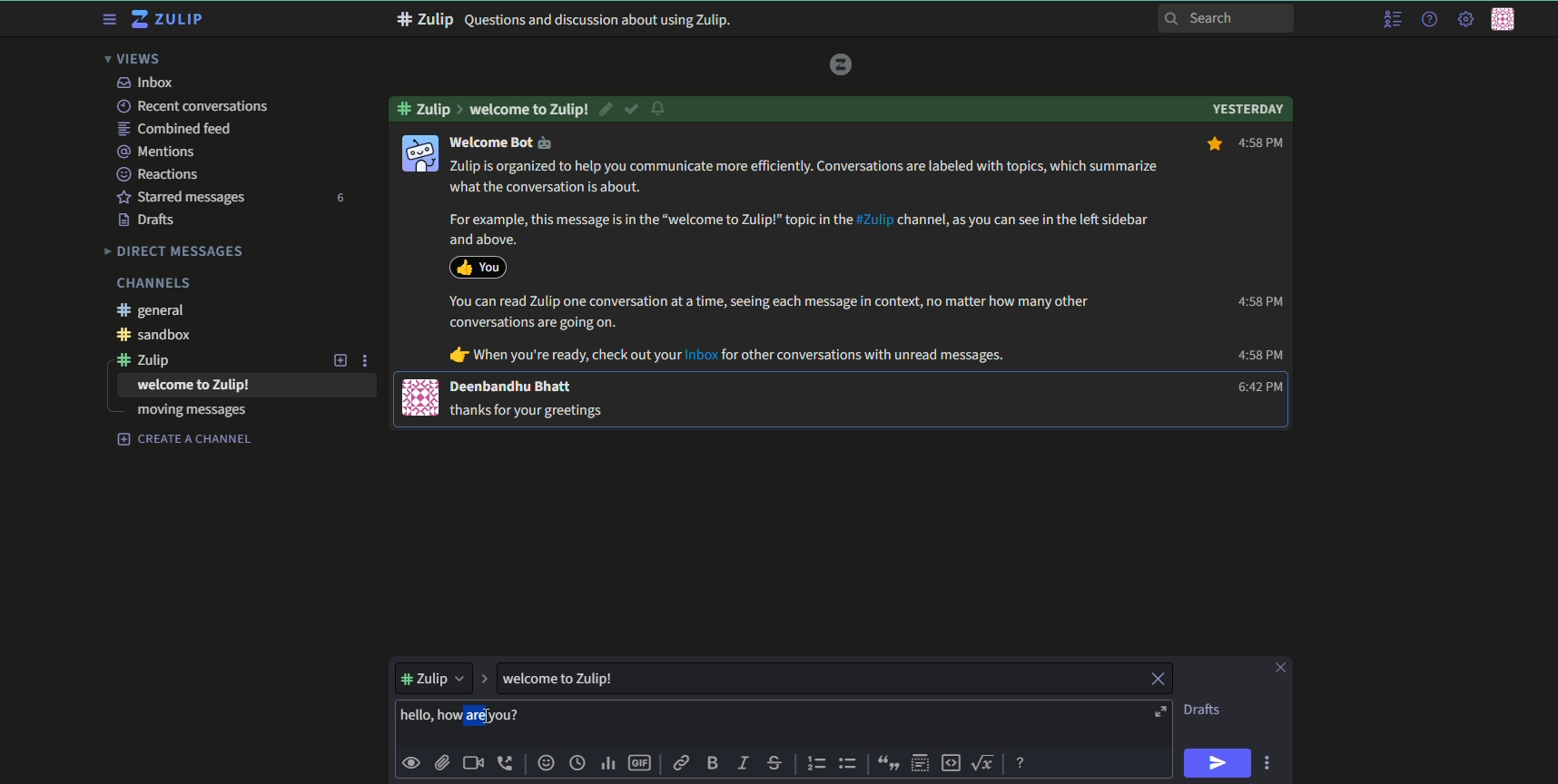 Image resolution: width=1558 pixels, height=784 pixels. Describe the element at coordinates (610, 765) in the screenshot. I see `poll` at that location.